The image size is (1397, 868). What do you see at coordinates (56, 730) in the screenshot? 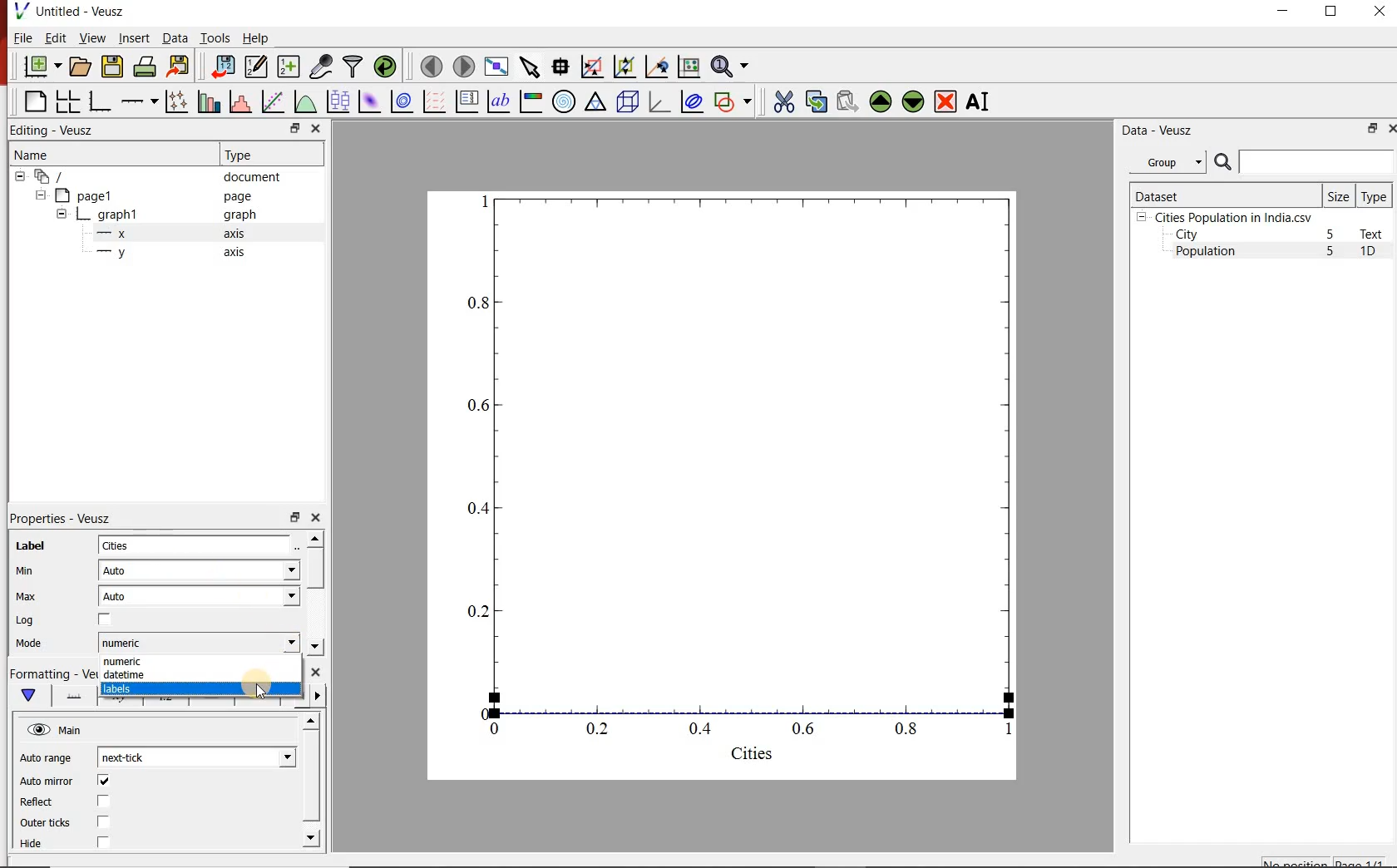
I see `Main` at bounding box center [56, 730].